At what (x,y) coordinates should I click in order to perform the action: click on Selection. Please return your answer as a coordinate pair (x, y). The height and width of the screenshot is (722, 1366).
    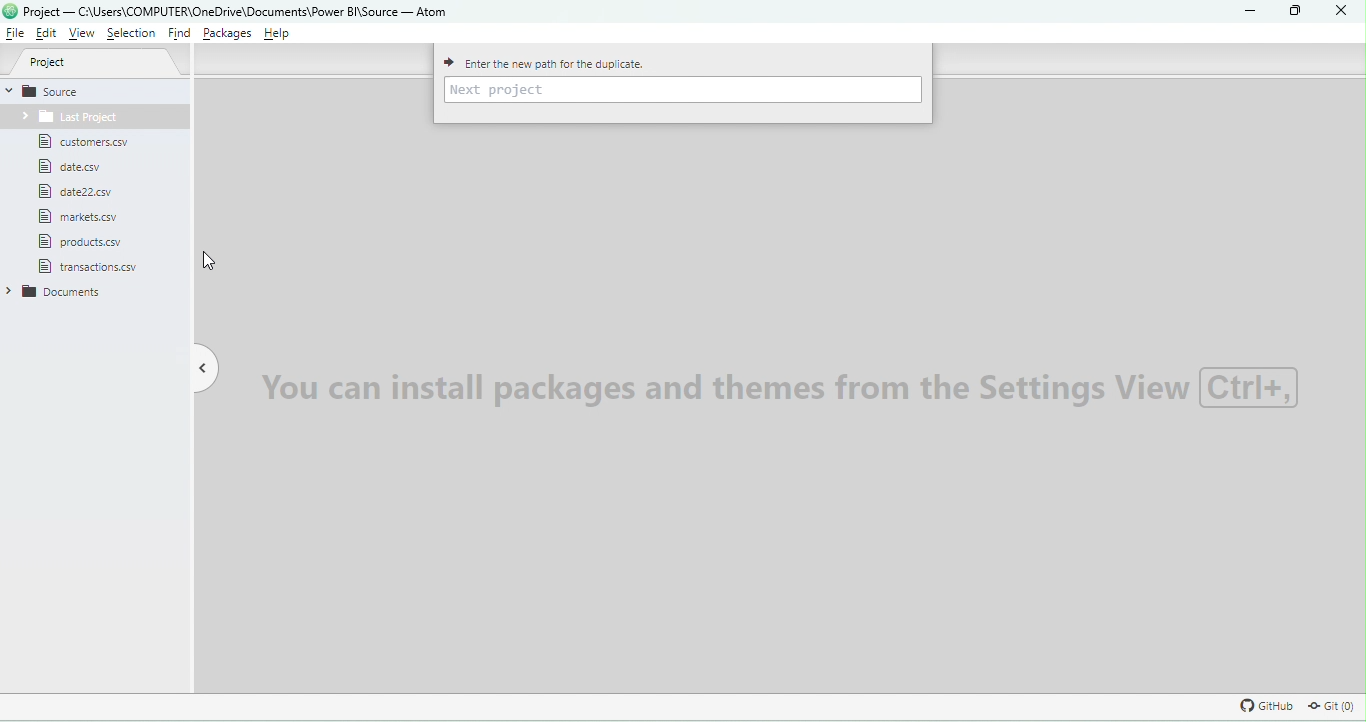
    Looking at the image, I should click on (131, 33).